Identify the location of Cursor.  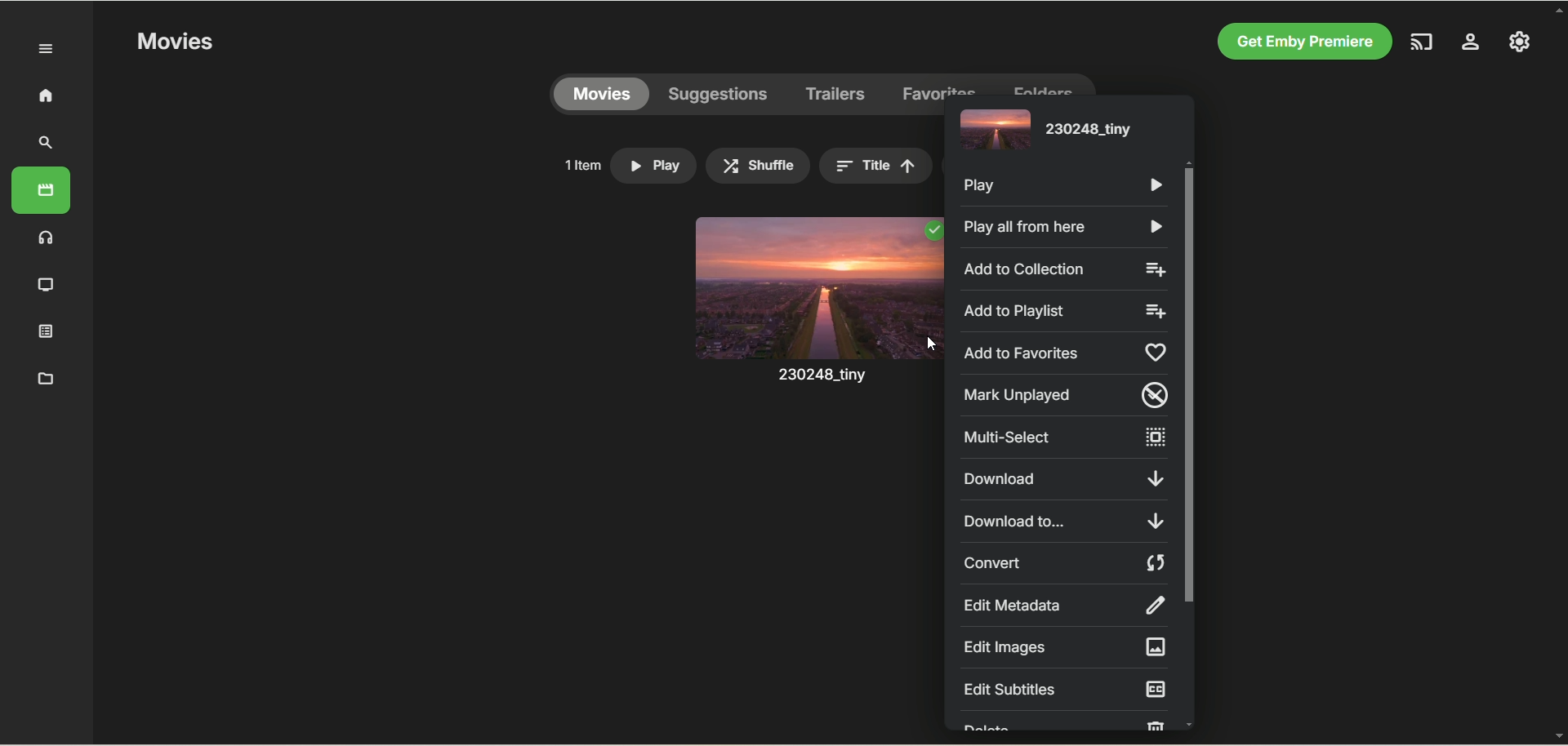
(930, 344).